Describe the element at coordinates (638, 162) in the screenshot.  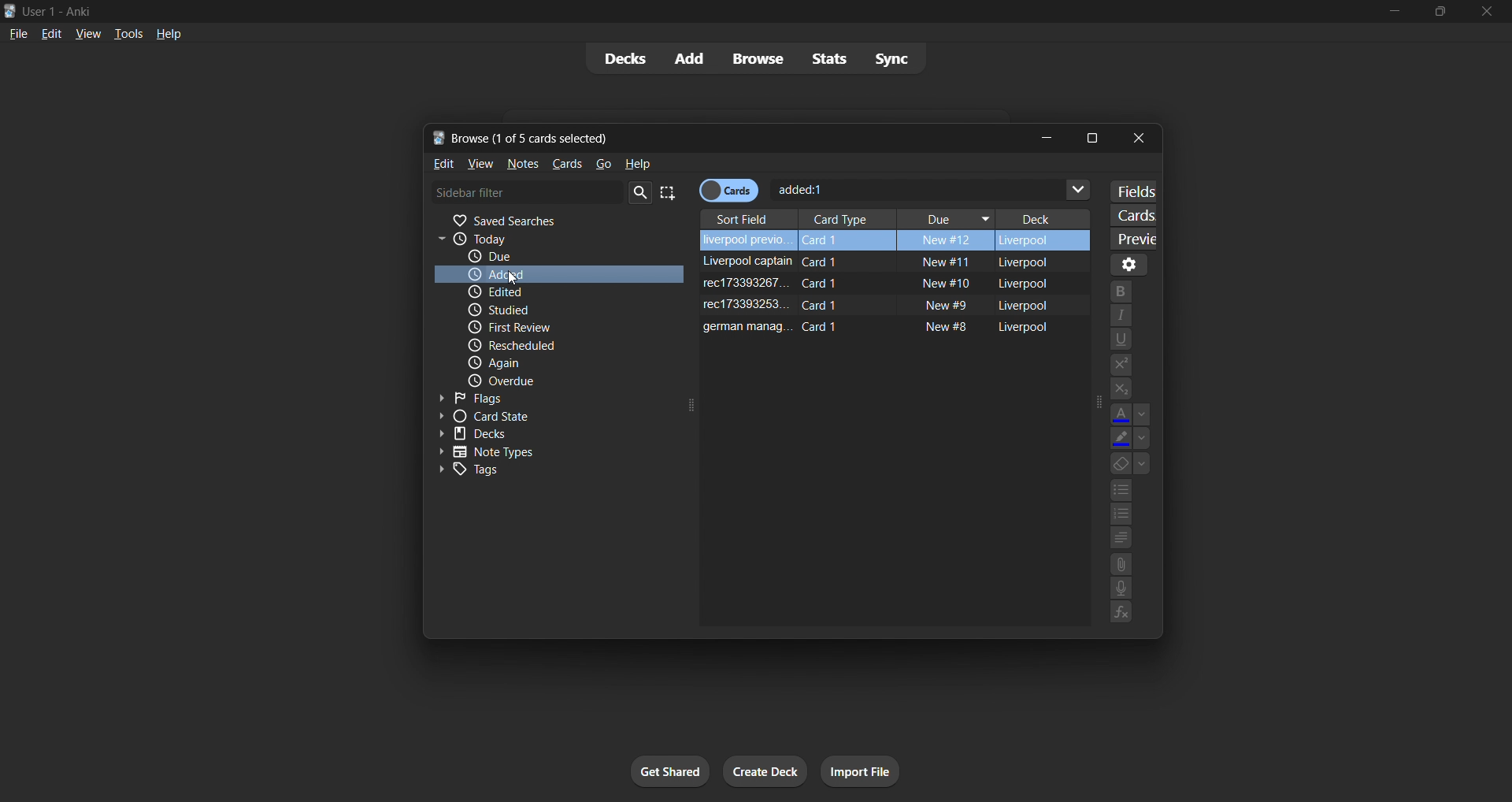
I see `help` at that location.